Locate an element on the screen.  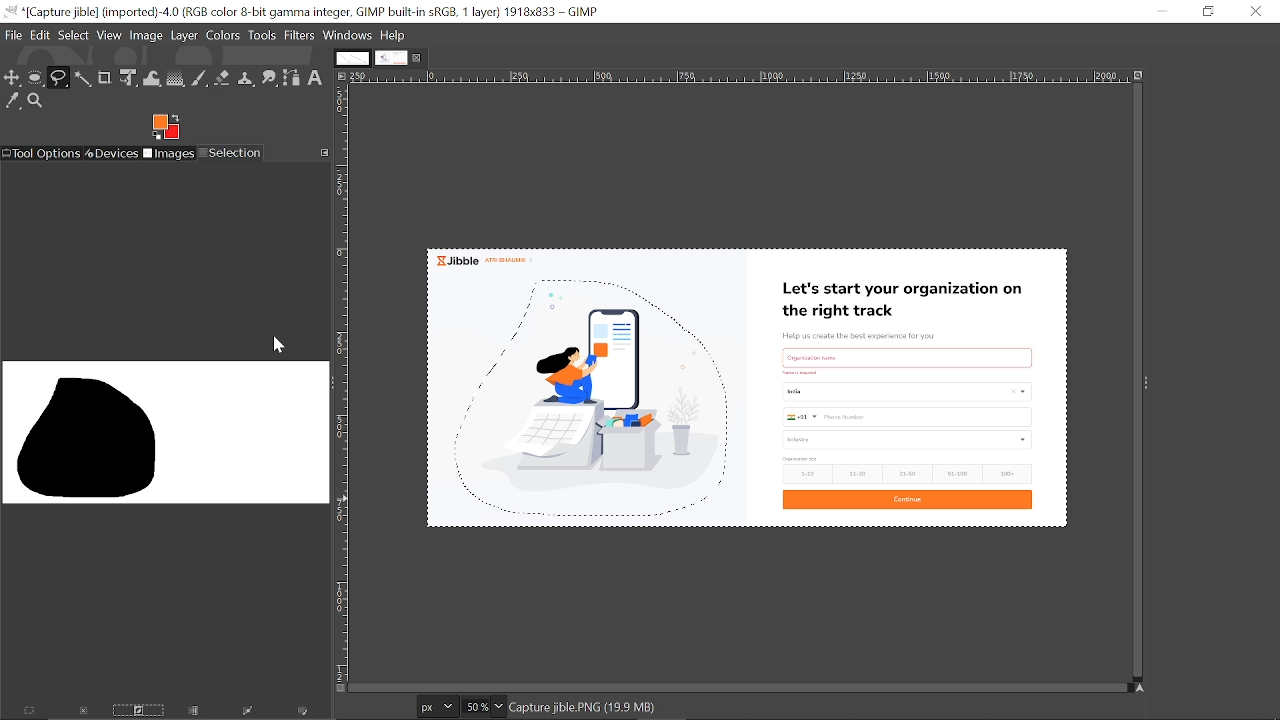
Close is located at coordinates (1255, 11).